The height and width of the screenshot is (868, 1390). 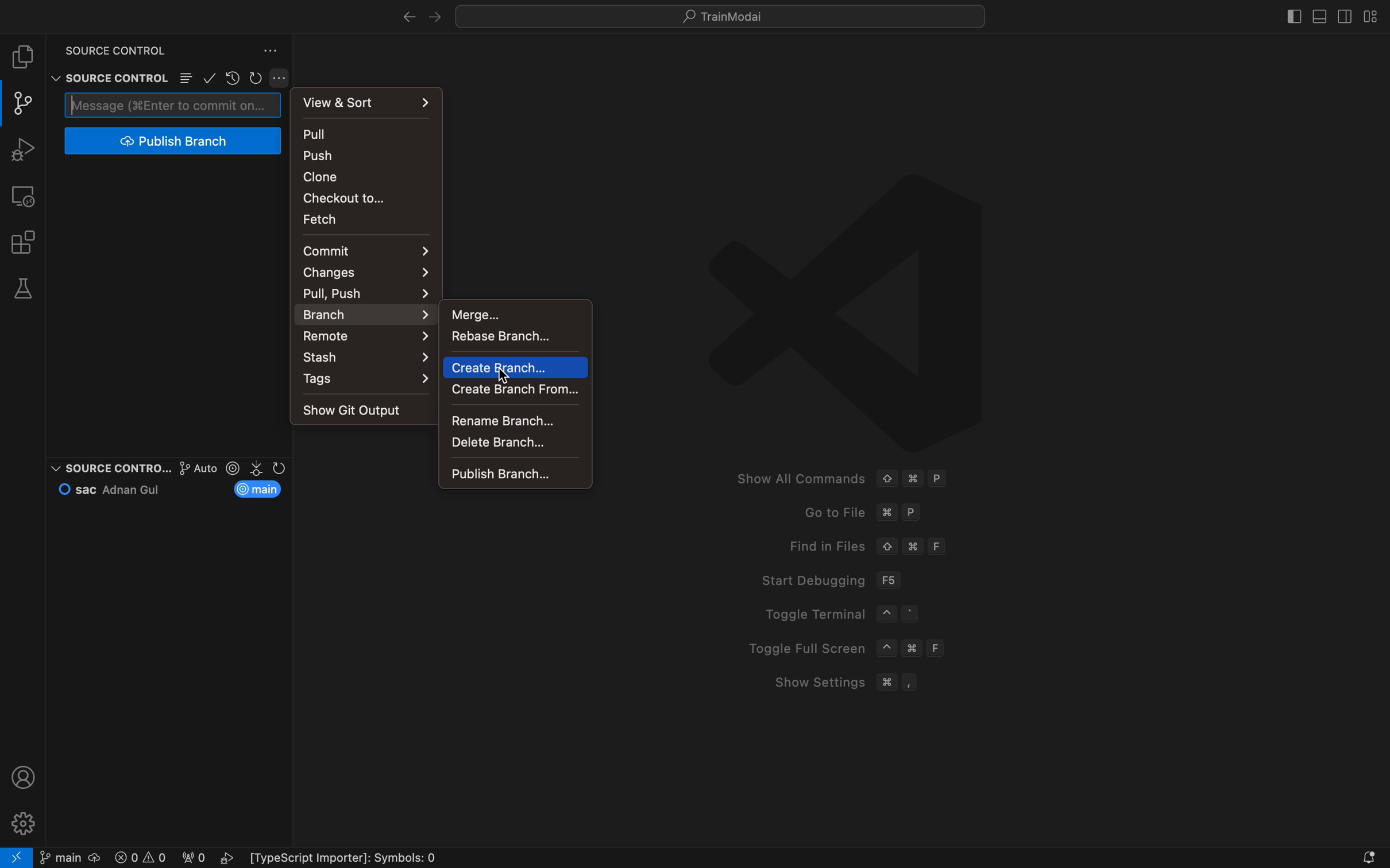 I want to click on , so click(x=514, y=443).